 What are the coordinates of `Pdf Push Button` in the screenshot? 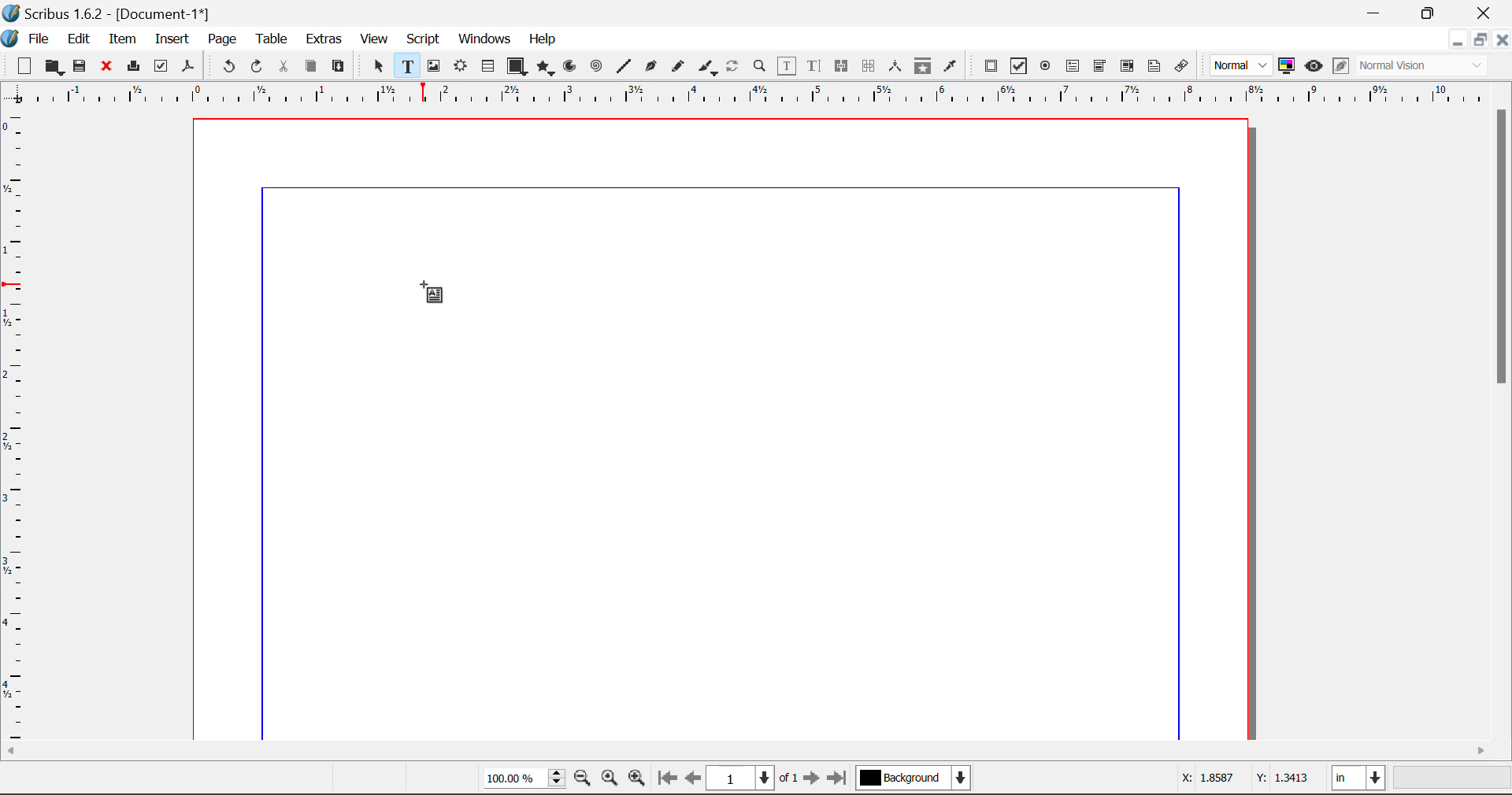 It's located at (991, 65).